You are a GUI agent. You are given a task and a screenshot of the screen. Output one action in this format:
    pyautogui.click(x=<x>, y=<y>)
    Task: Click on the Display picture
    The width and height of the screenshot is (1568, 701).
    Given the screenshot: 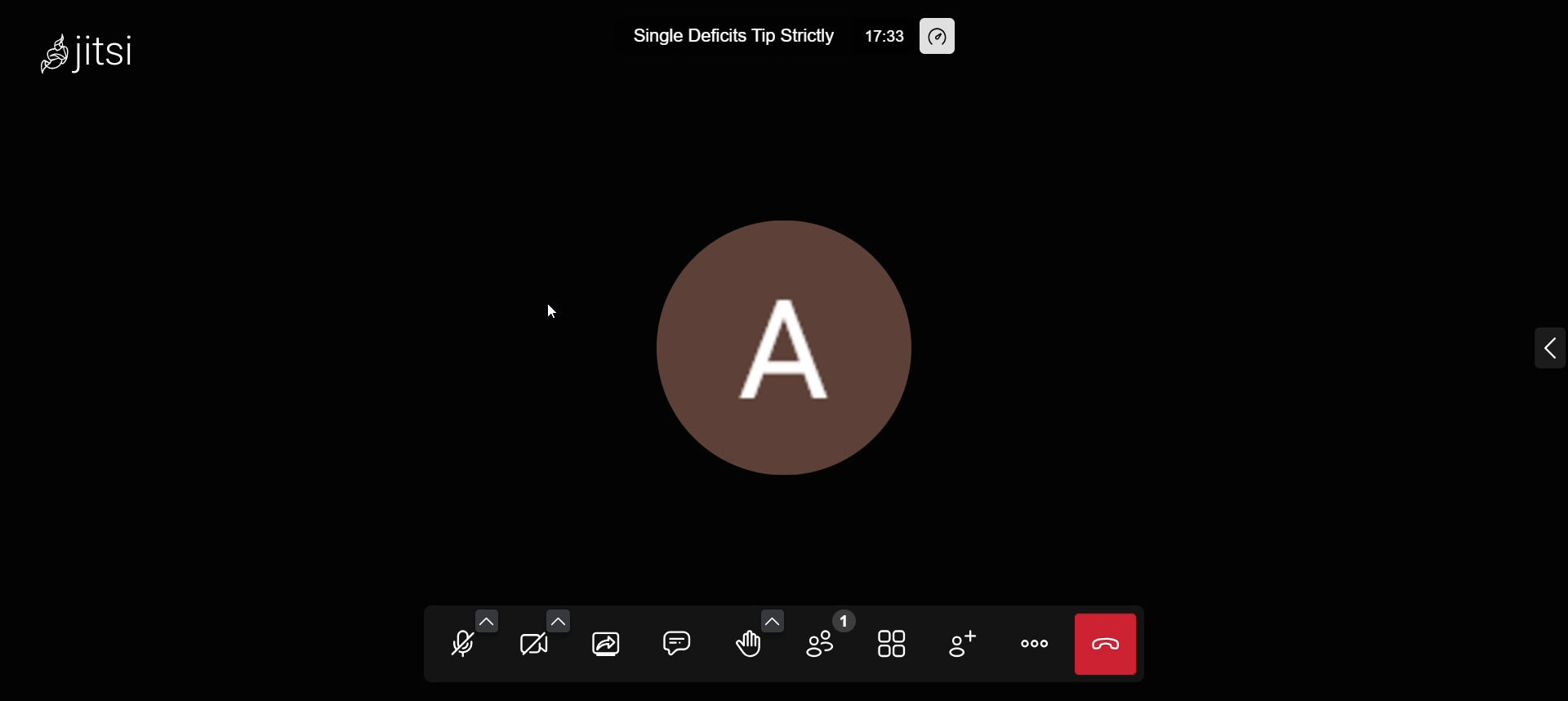 What is the action you would take?
    pyautogui.click(x=802, y=343)
    